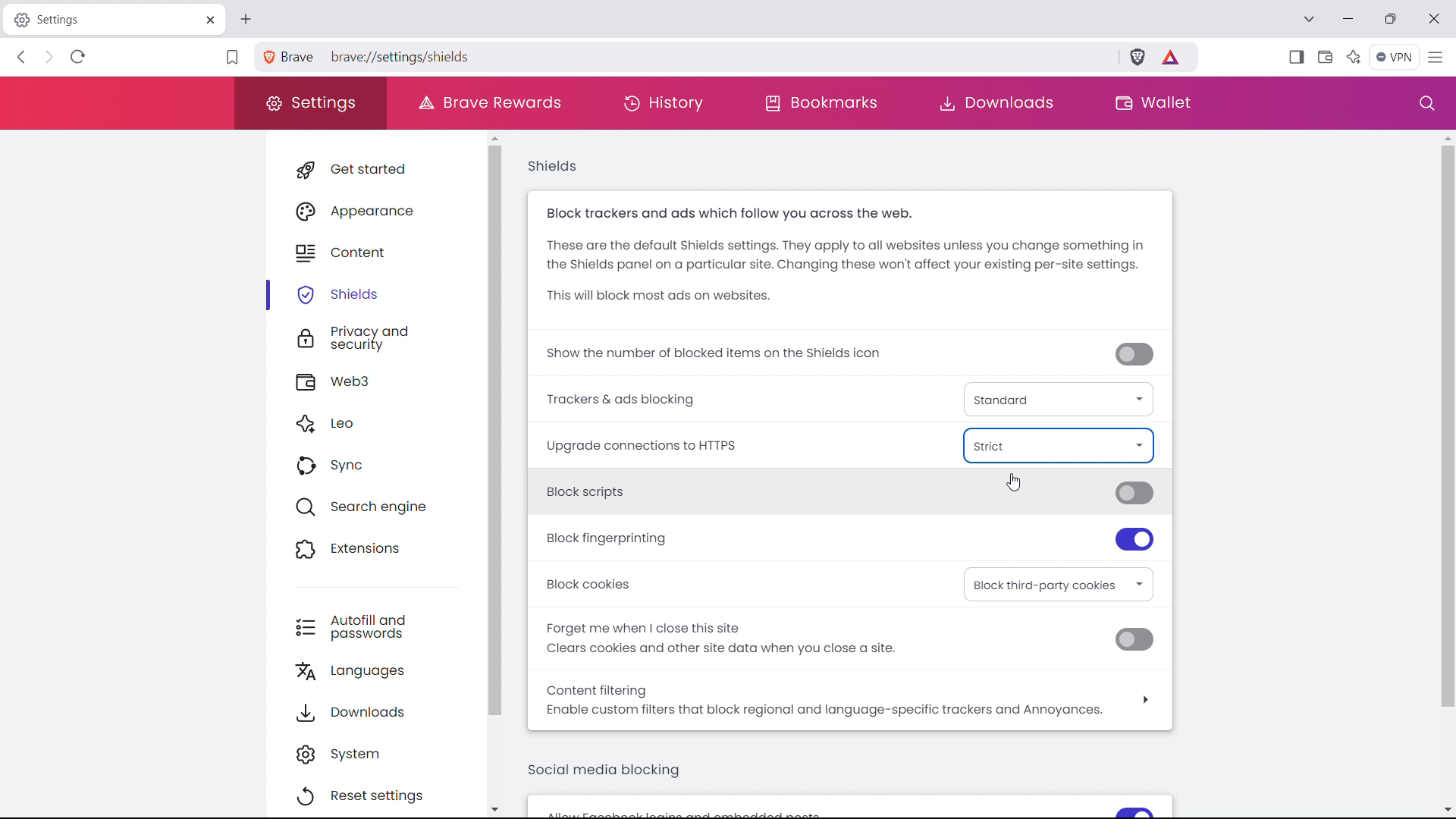  What do you see at coordinates (385, 169) in the screenshot?
I see `get started` at bounding box center [385, 169].